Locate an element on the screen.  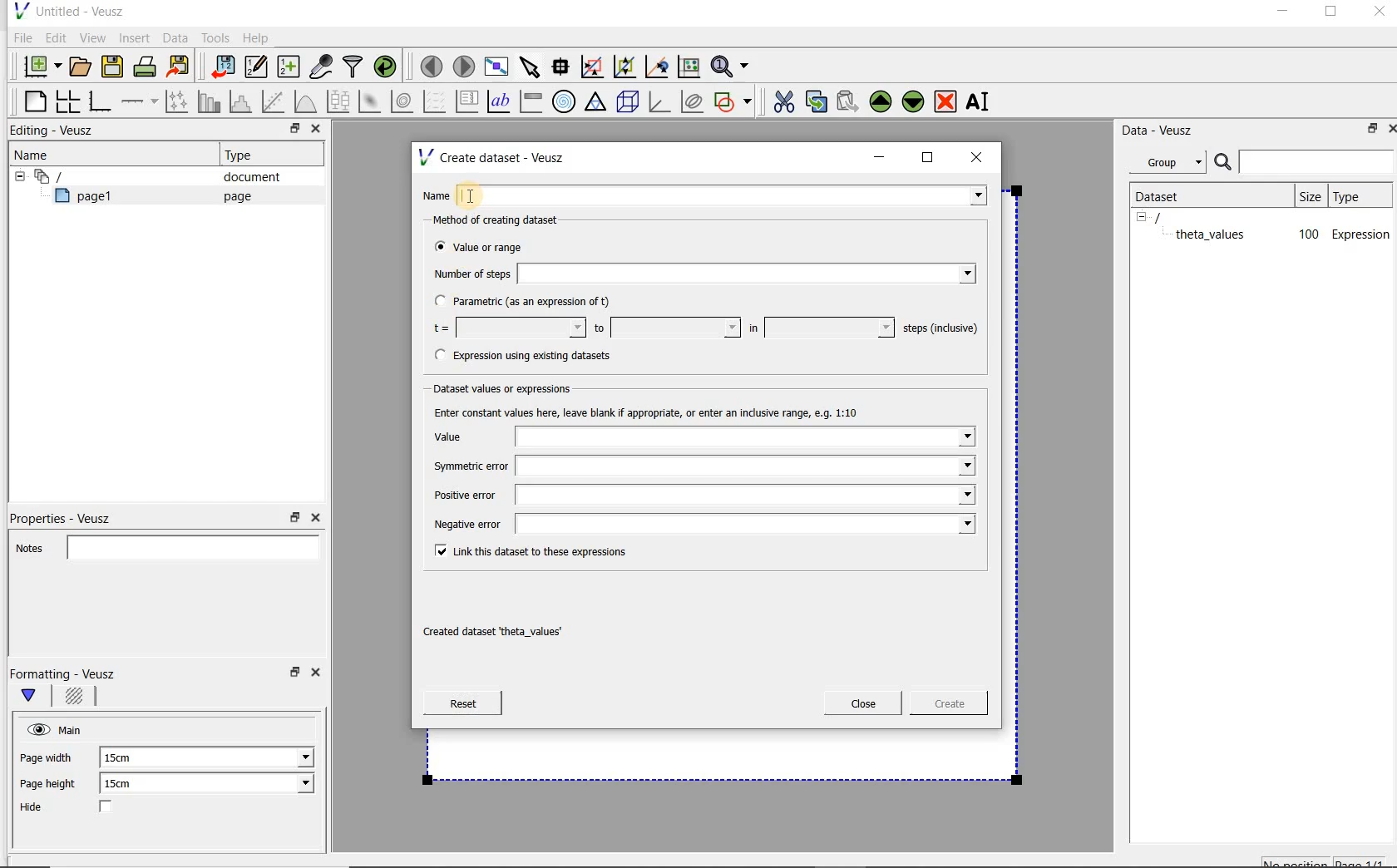
Link this dataset to these expressions is located at coordinates (526, 550).